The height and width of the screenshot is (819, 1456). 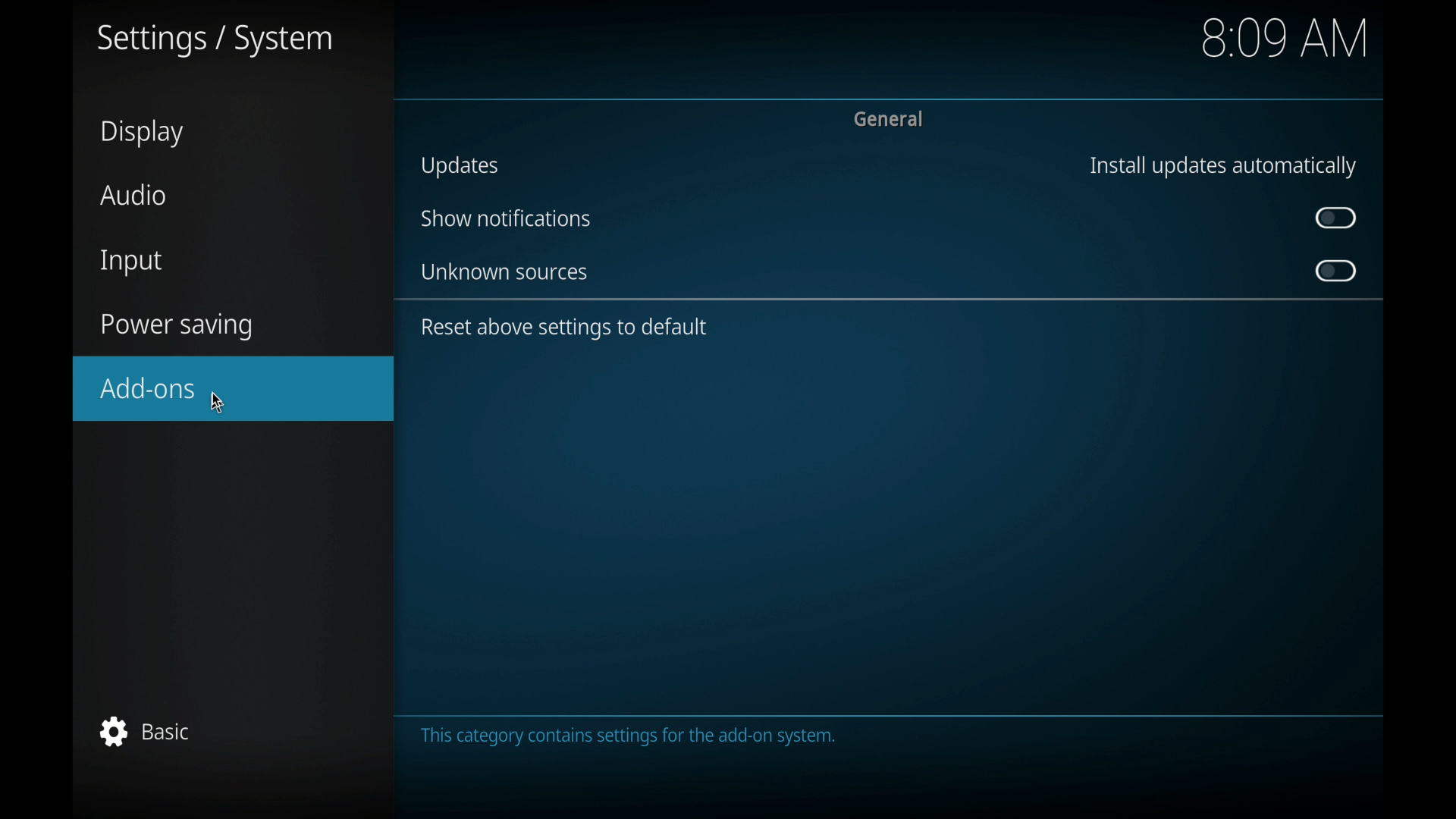 I want to click on updates, so click(x=460, y=166).